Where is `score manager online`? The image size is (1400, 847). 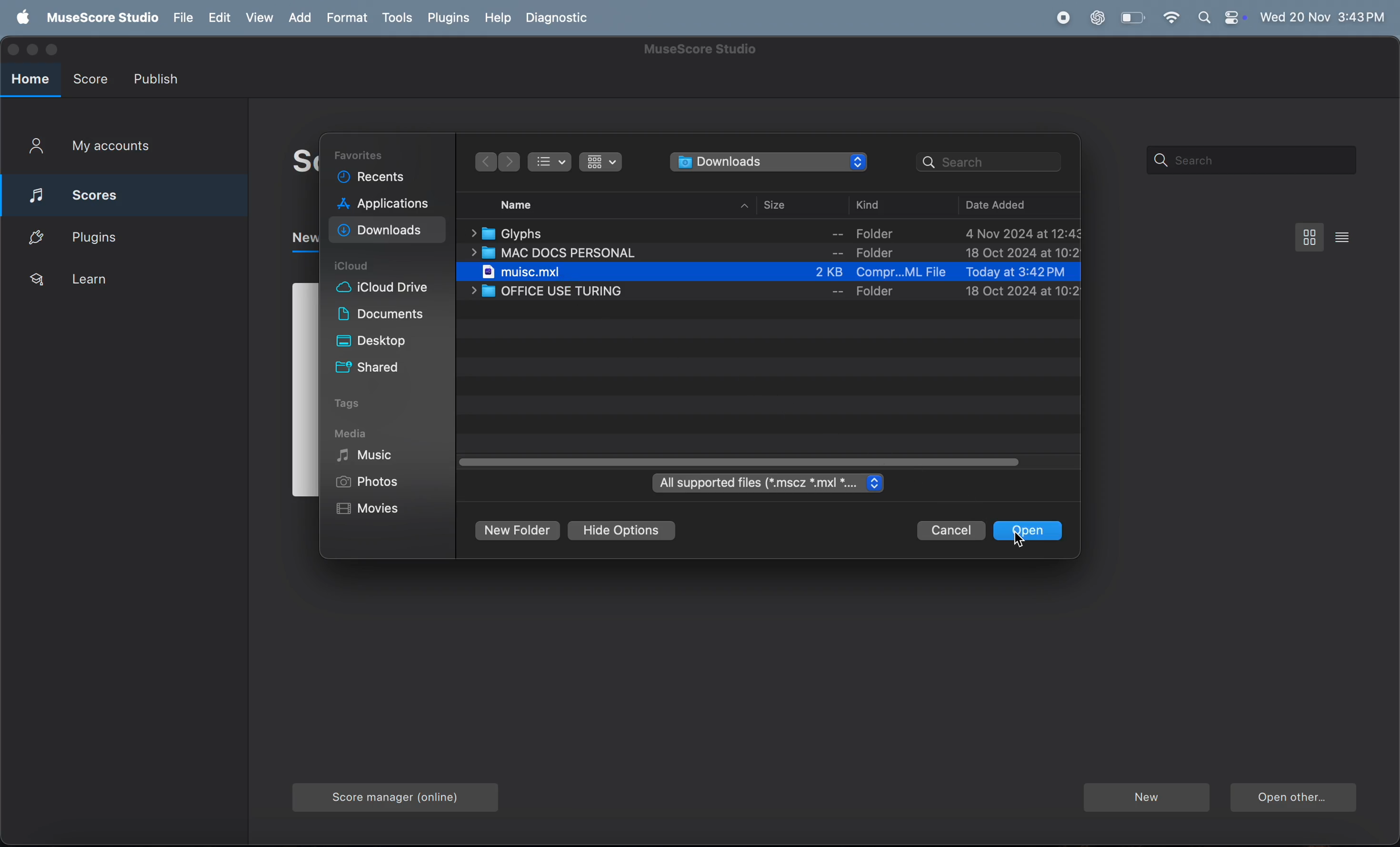
score manager online is located at coordinates (388, 798).